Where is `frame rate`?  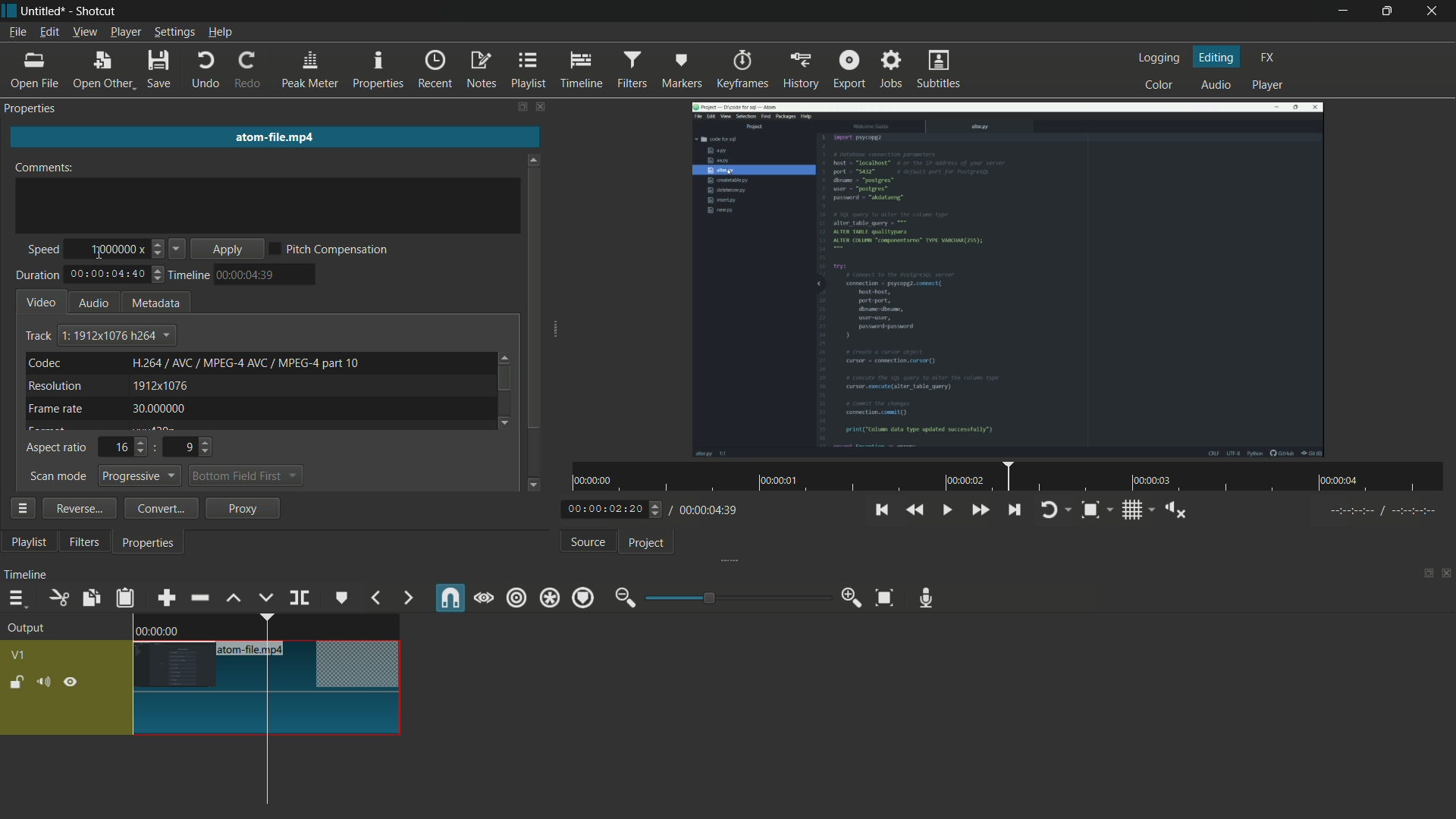
frame rate is located at coordinates (55, 409).